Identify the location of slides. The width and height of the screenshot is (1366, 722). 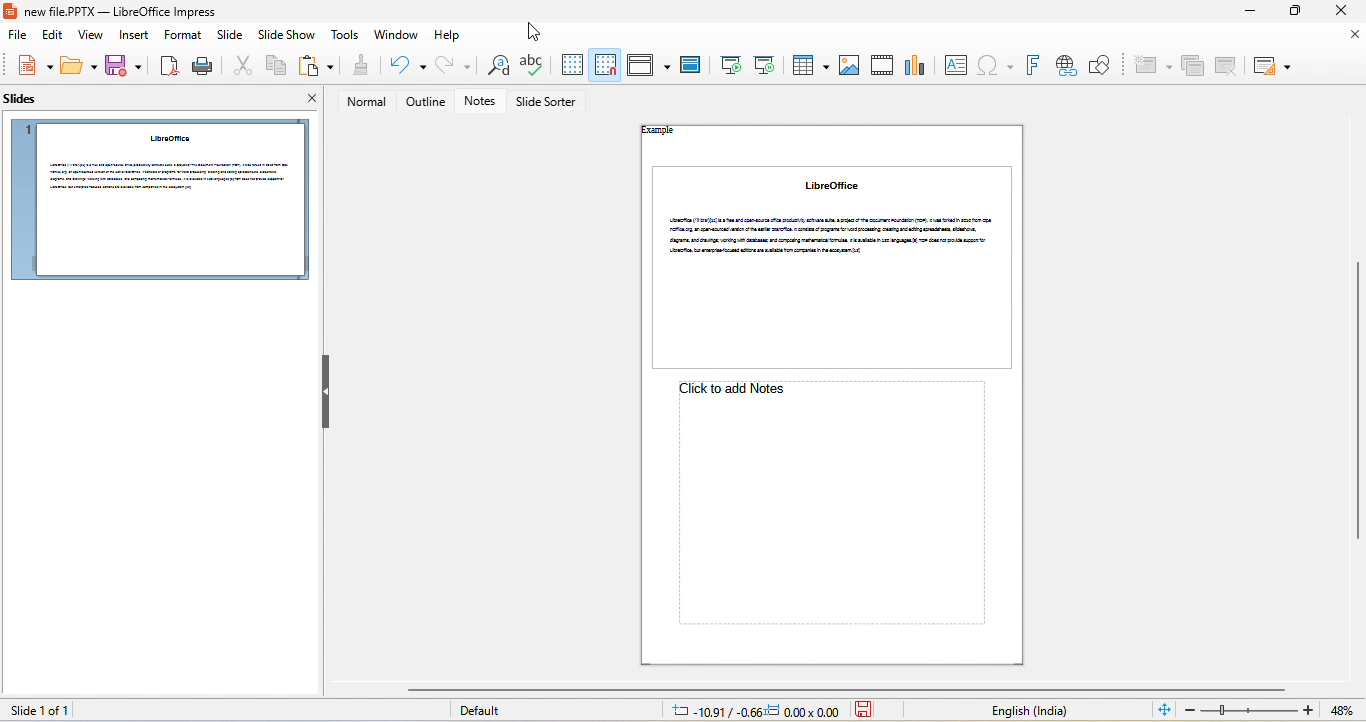
(28, 103).